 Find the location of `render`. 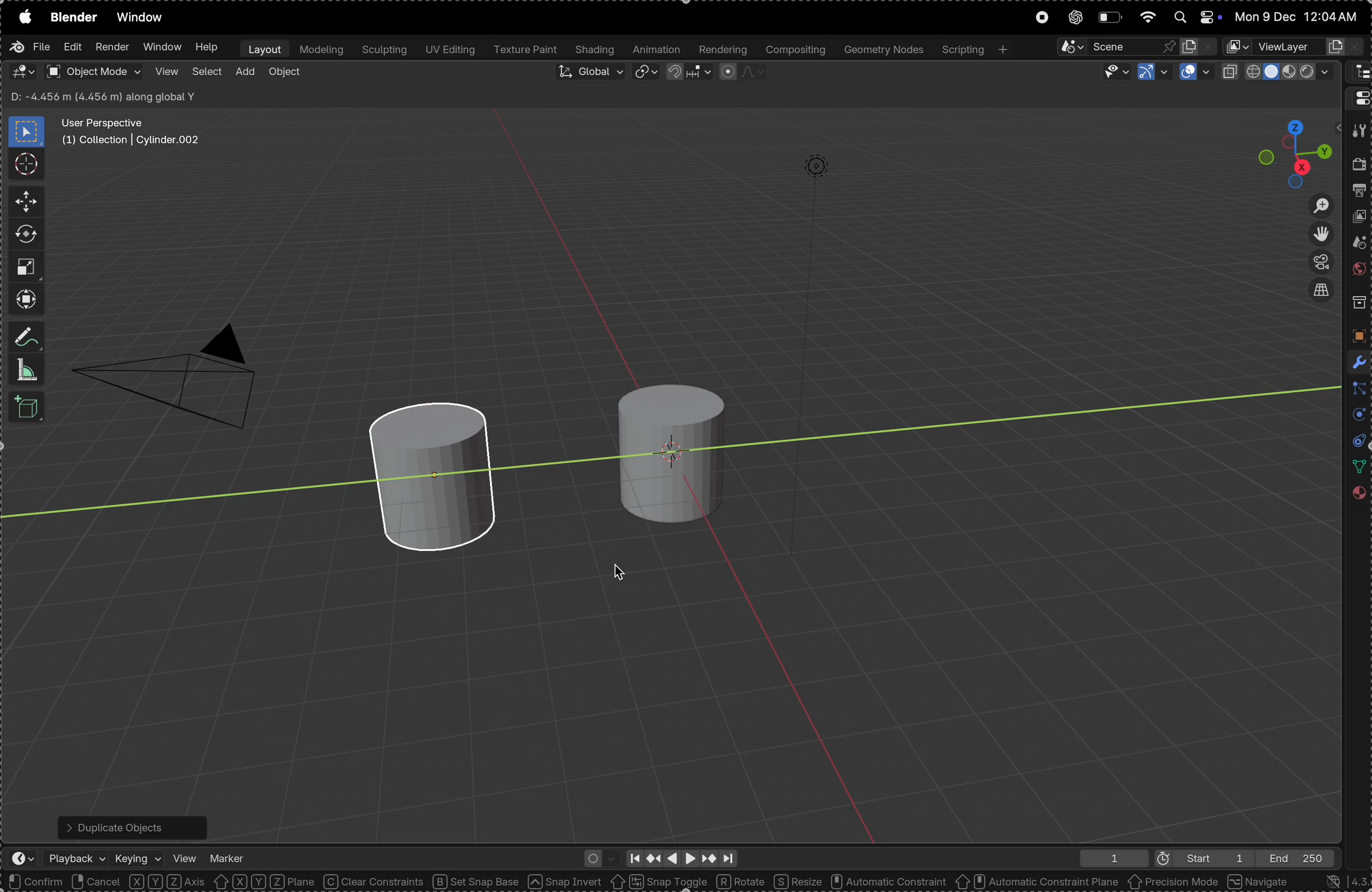

render is located at coordinates (1359, 167).